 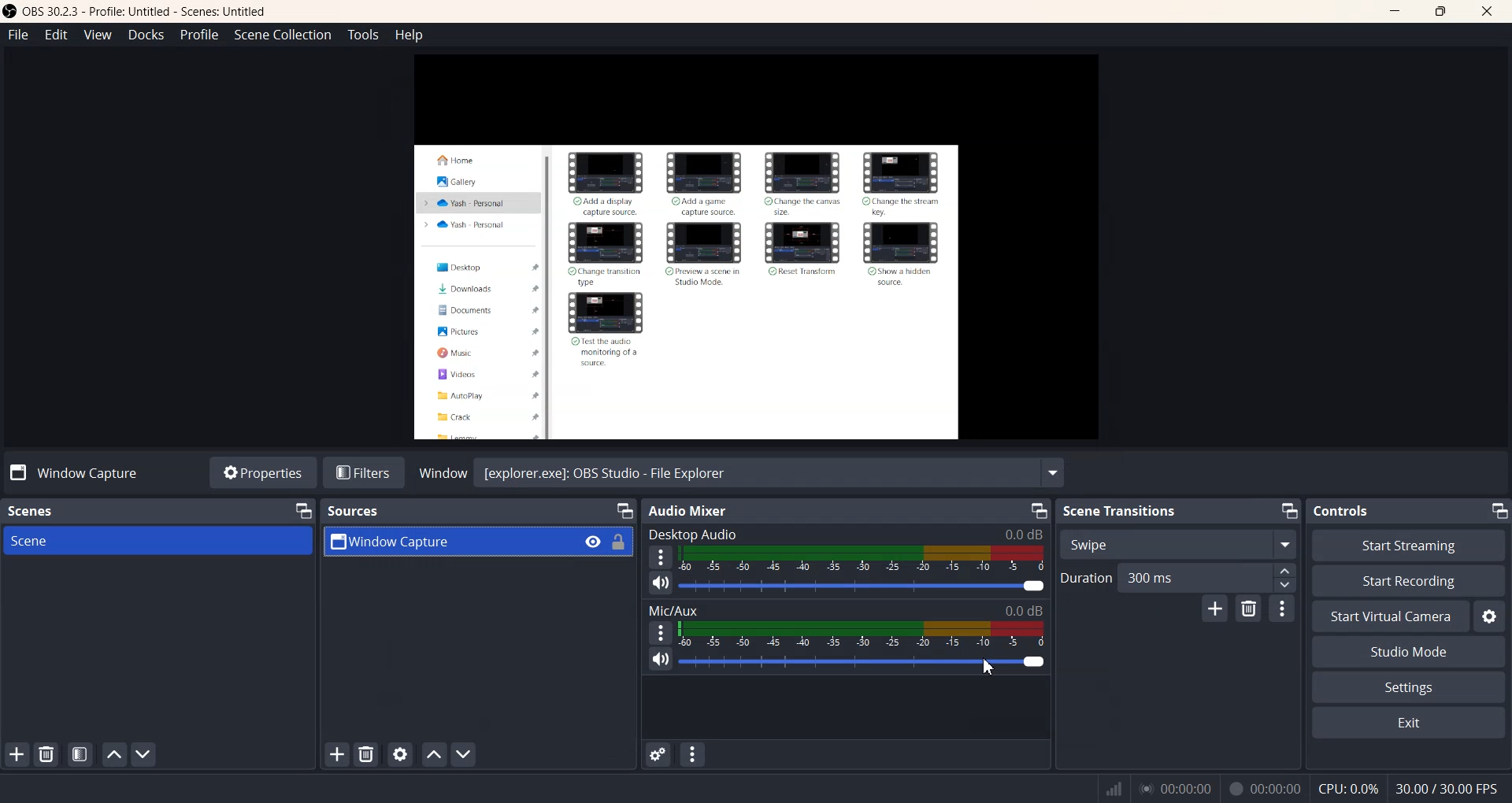 What do you see at coordinates (660, 659) in the screenshot?
I see `Mute/ Unmute` at bounding box center [660, 659].